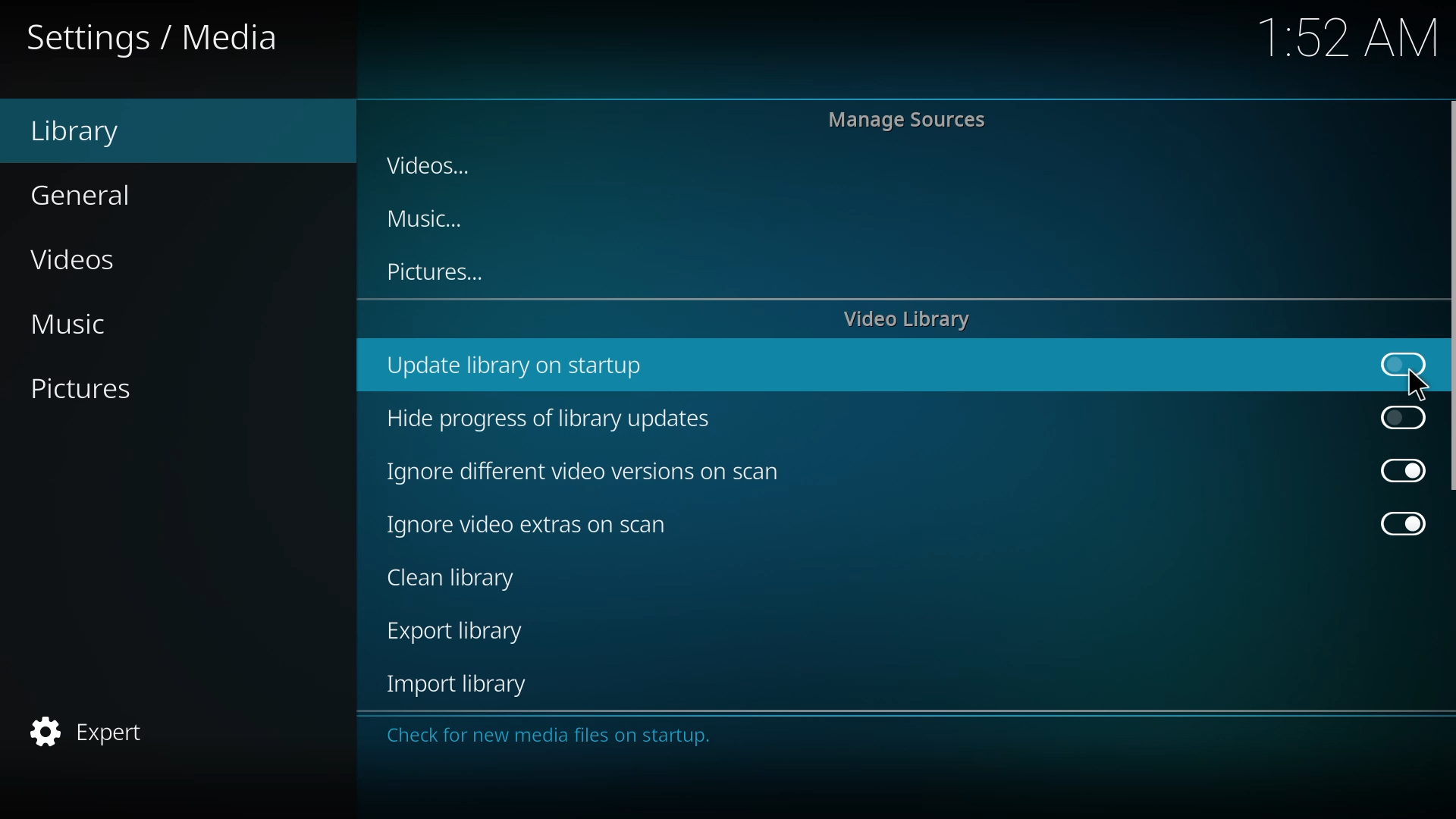 The height and width of the screenshot is (819, 1456). What do you see at coordinates (1400, 417) in the screenshot?
I see `click to enable` at bounding box center [1400, 417].